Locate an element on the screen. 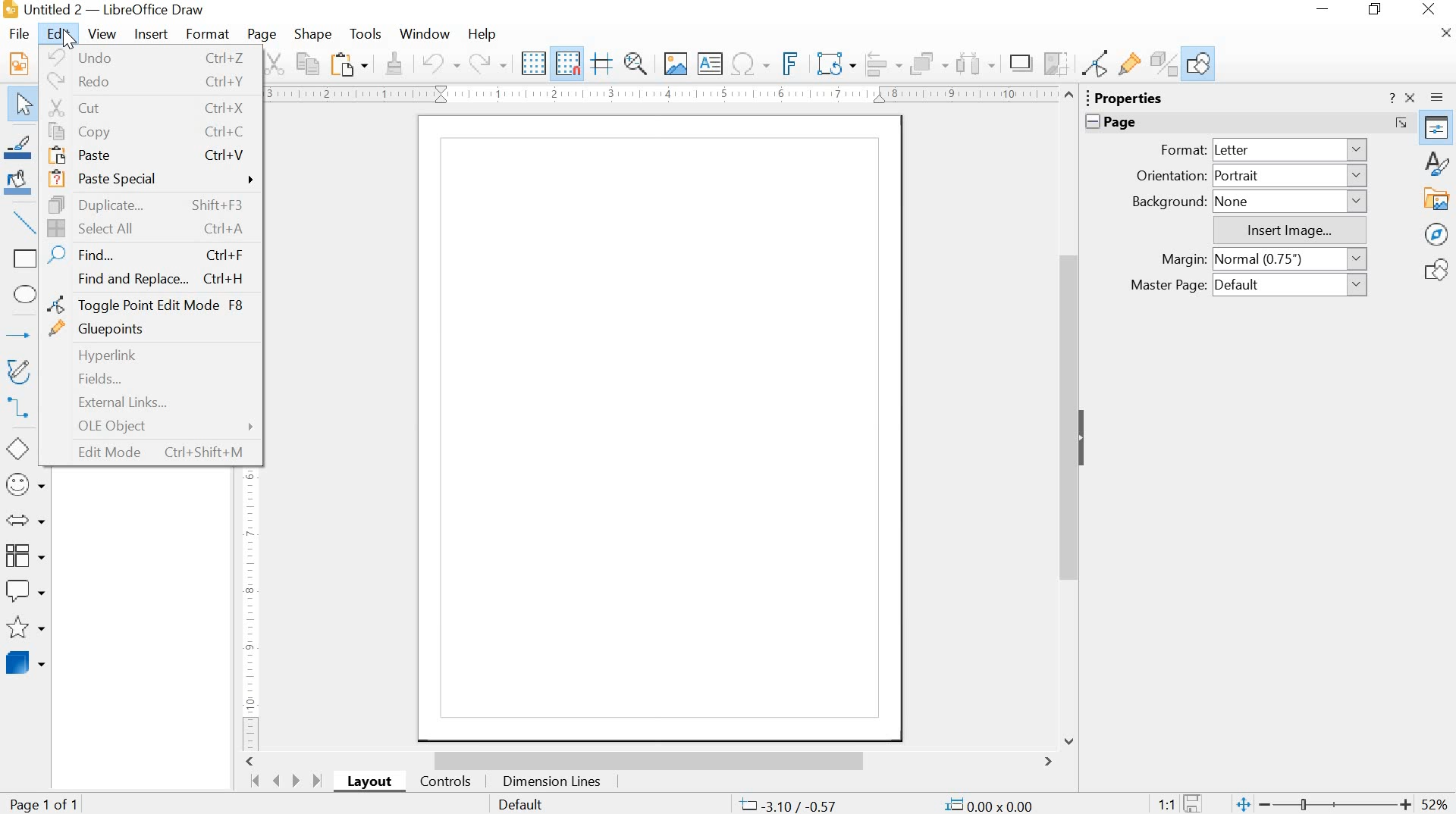 The width and height of the screenshot is (1456, 814). More Options is located at coordinates (1400, 122).